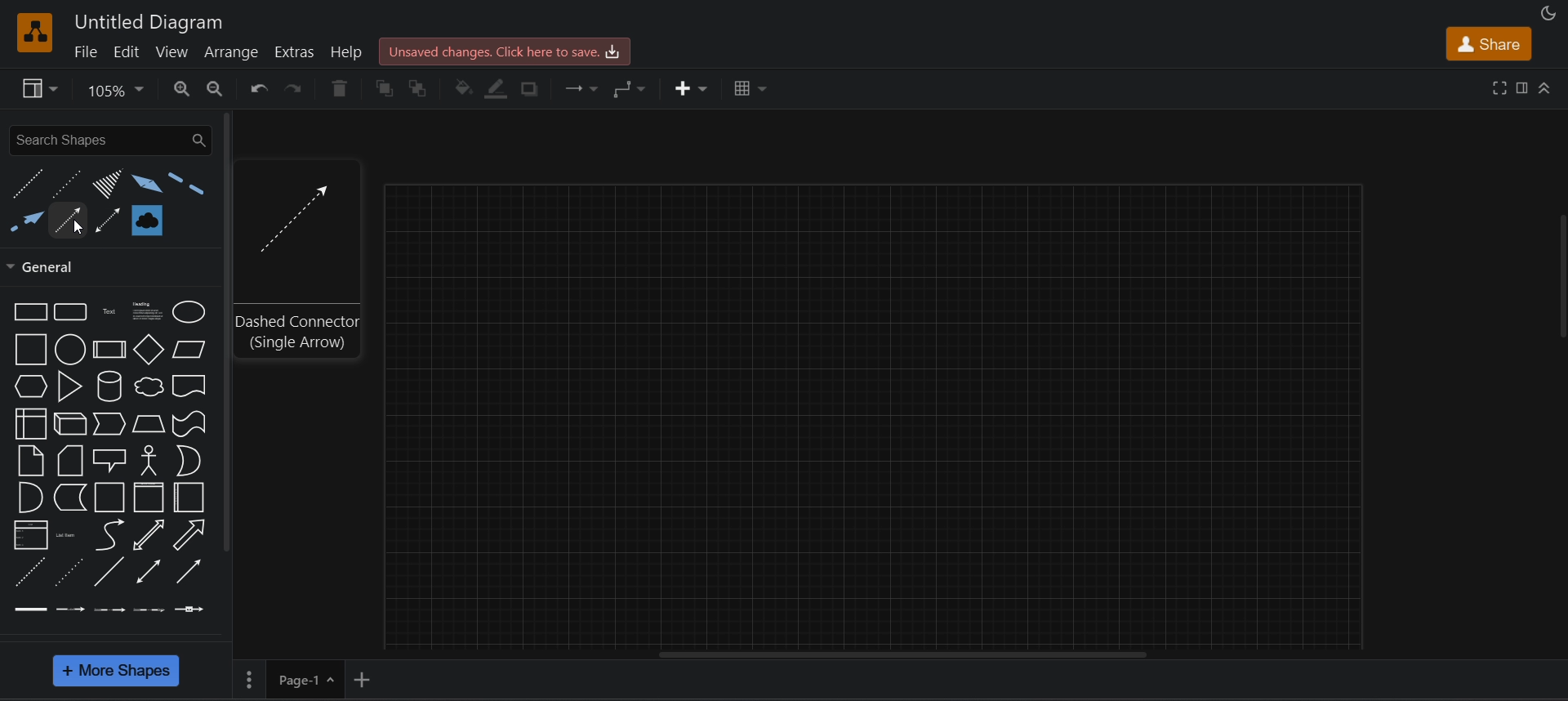  Describe the element at coordinates (174, 51) in the screenshot. I see `view` at that location.